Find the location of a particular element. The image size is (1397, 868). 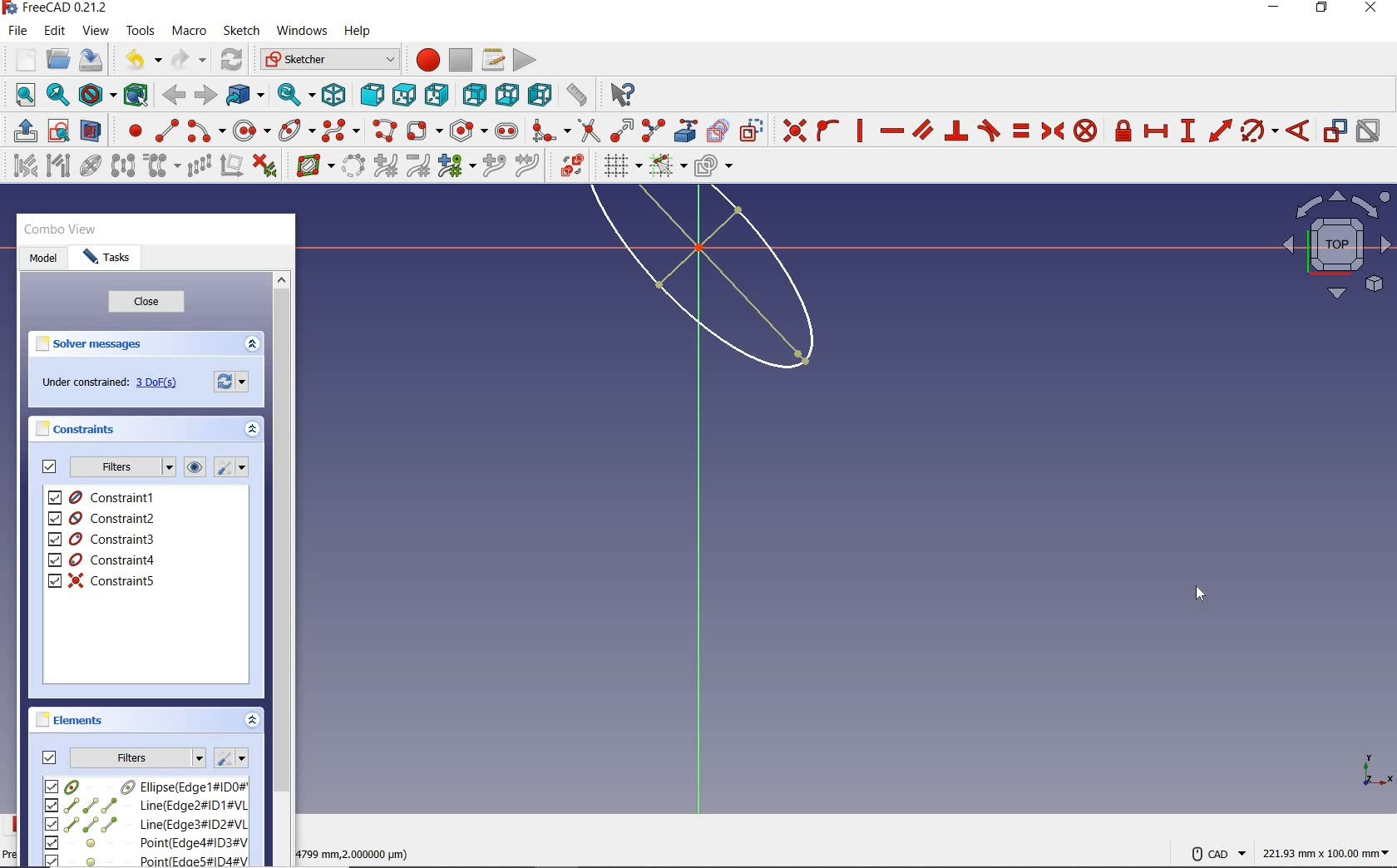

constraint4 is located at coordinates (102, 560).